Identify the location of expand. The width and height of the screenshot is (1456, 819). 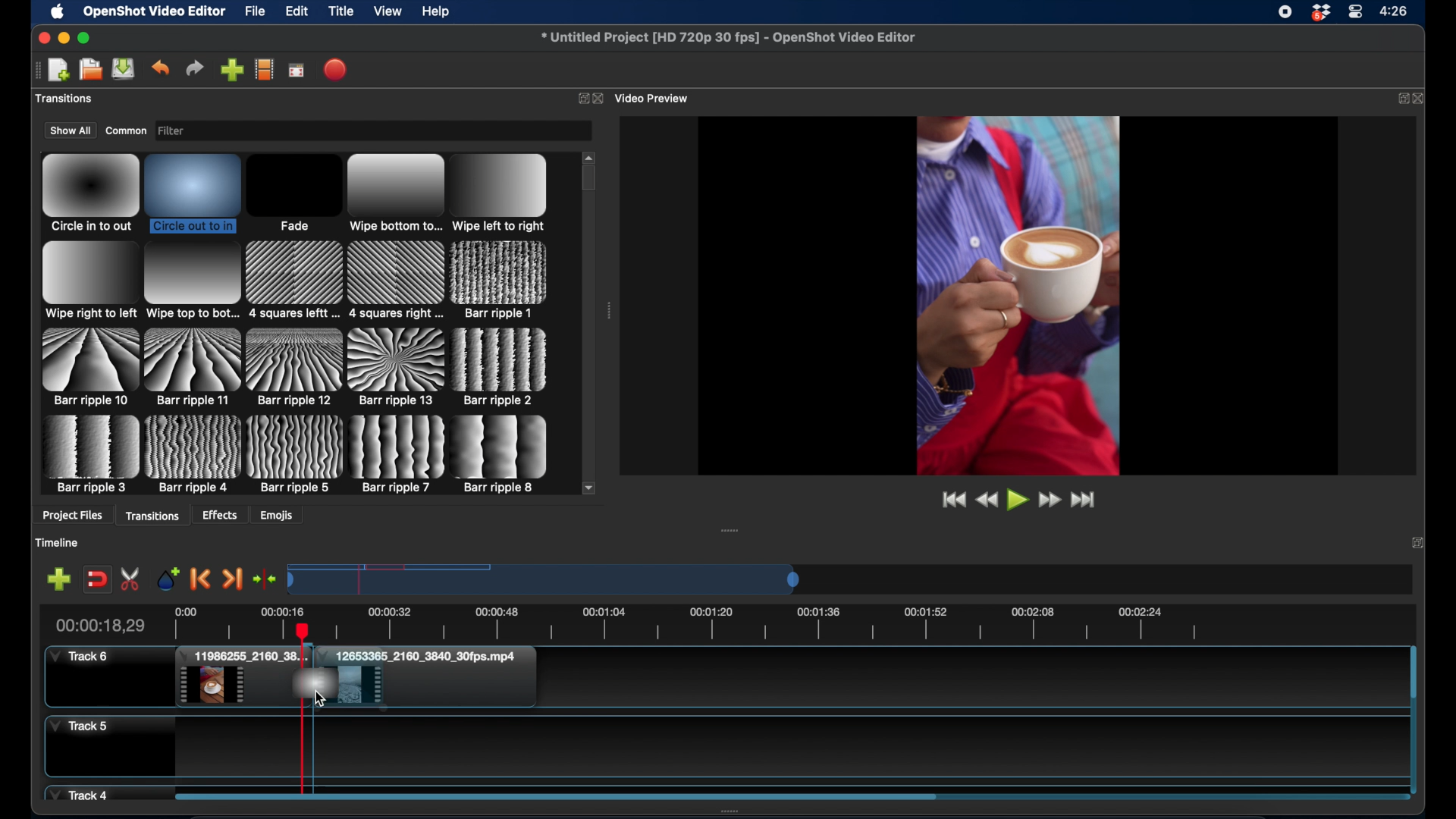
(1418, 544).